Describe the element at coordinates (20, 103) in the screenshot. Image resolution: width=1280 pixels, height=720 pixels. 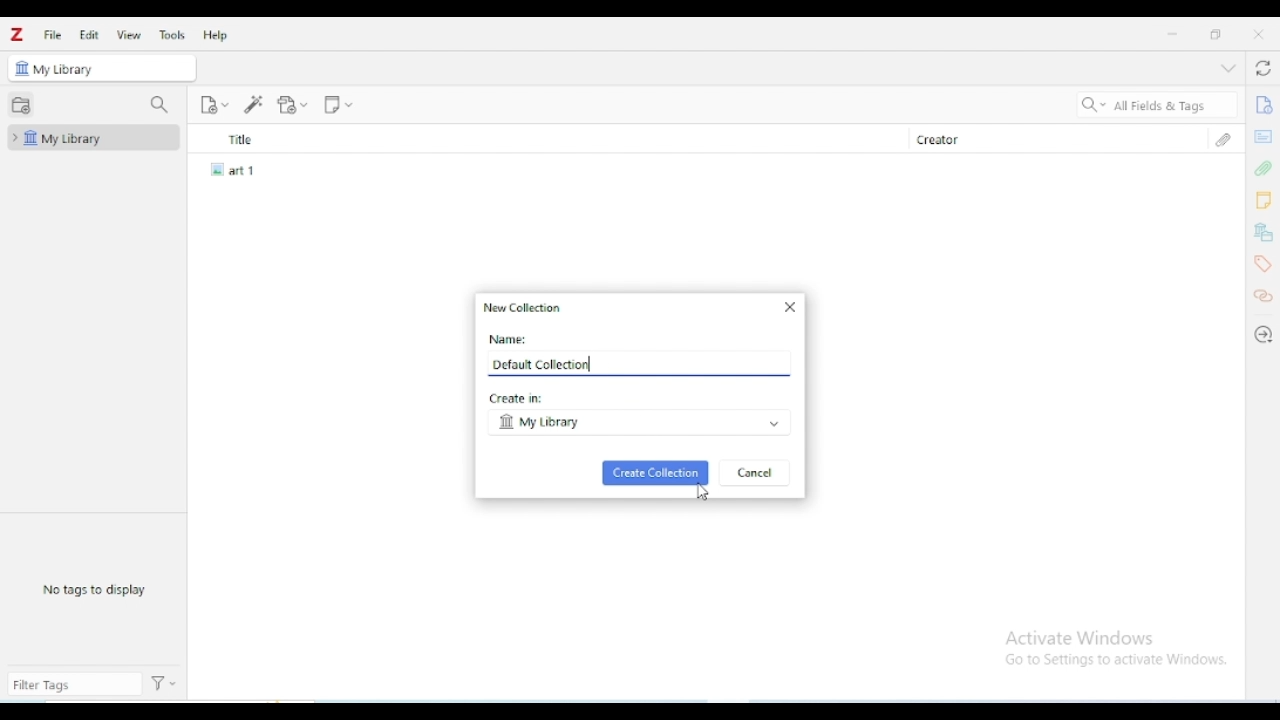
I see `new collection` at that location.